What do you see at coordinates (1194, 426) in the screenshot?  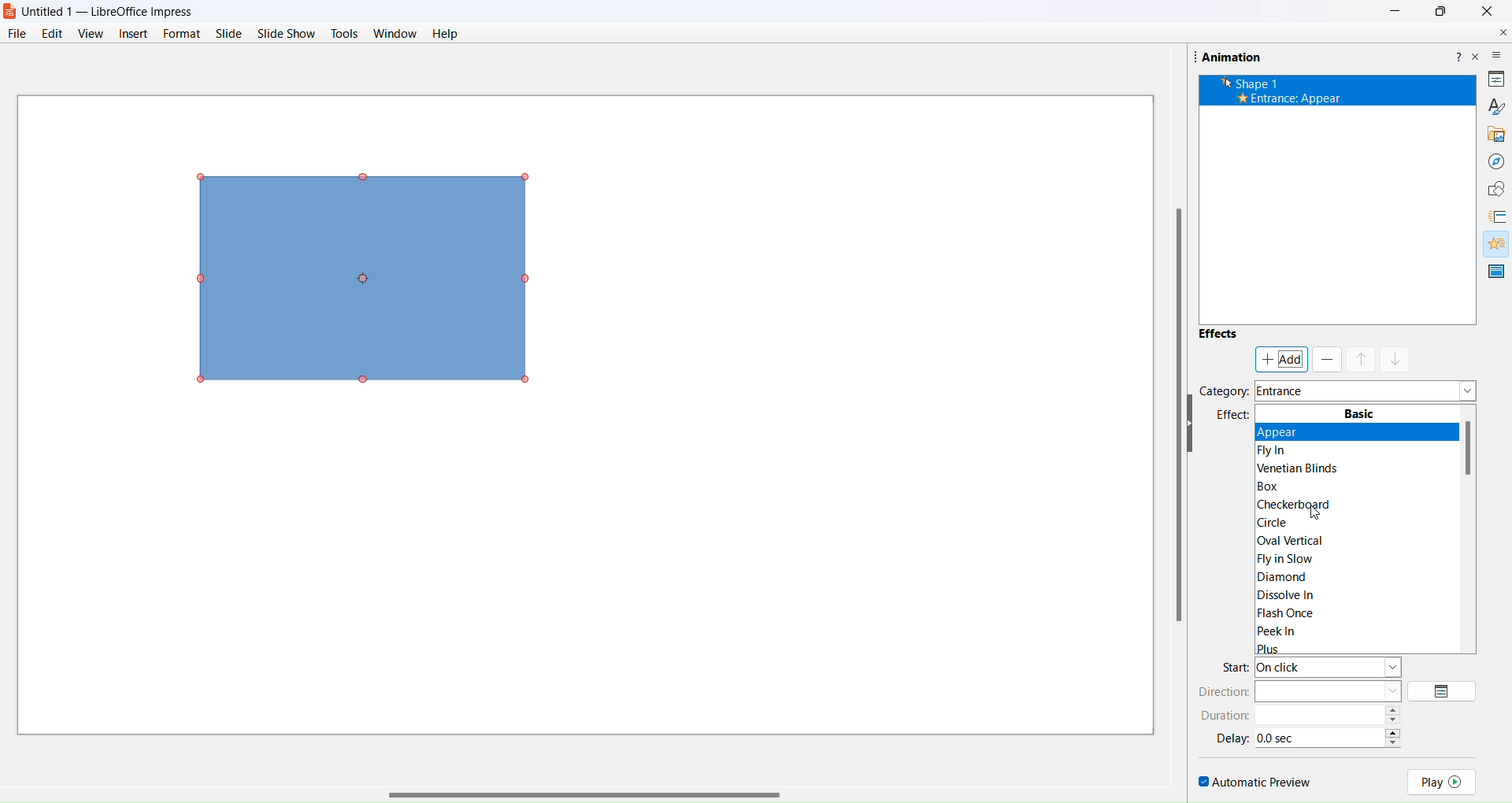 I see `hide` at bounding box center [1194, 426].